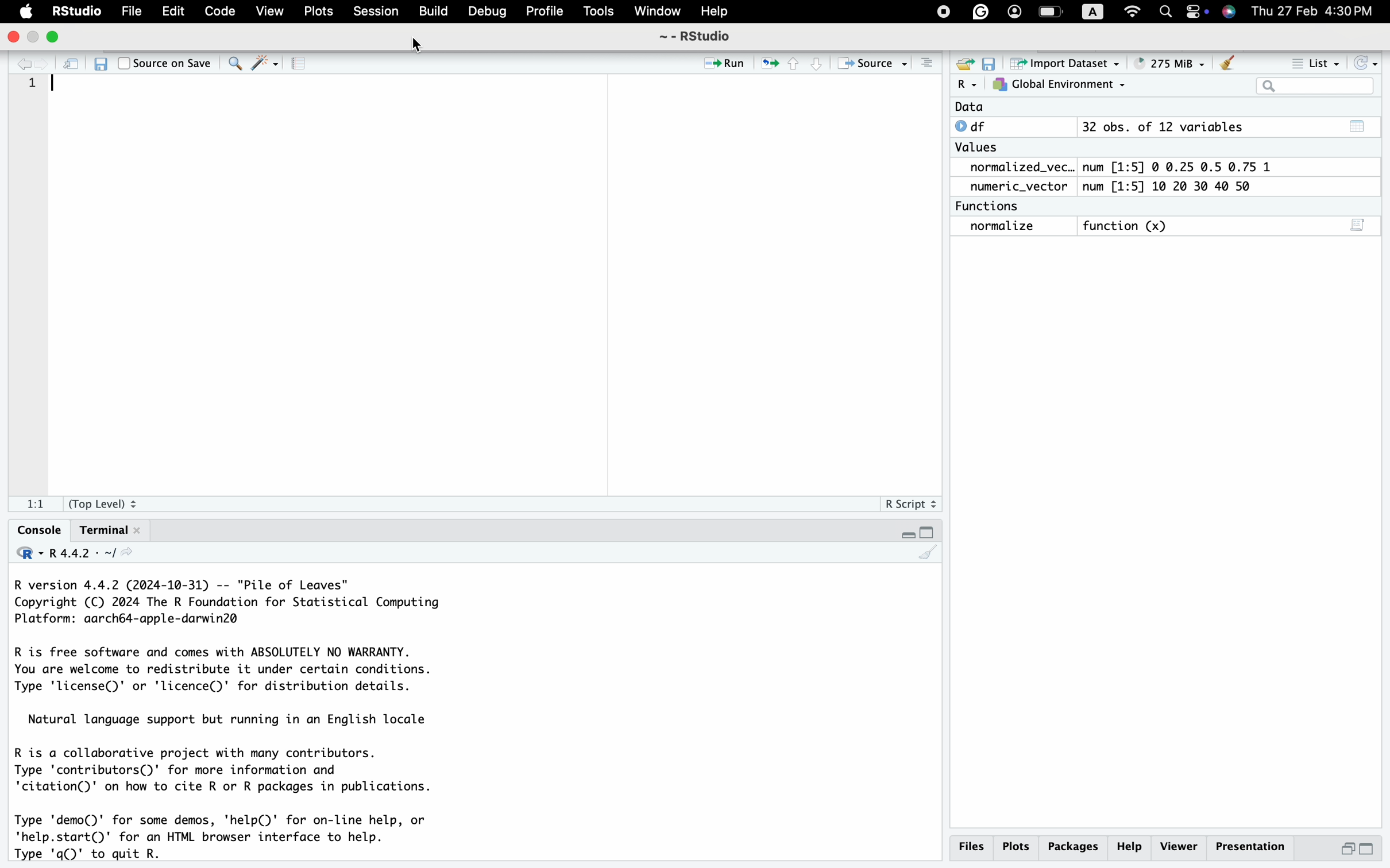 The image size is (1390, 868). What do you see at coordinates (419, 47) in the screenshot?
I see `cursor` at bounding box center [419, 47].